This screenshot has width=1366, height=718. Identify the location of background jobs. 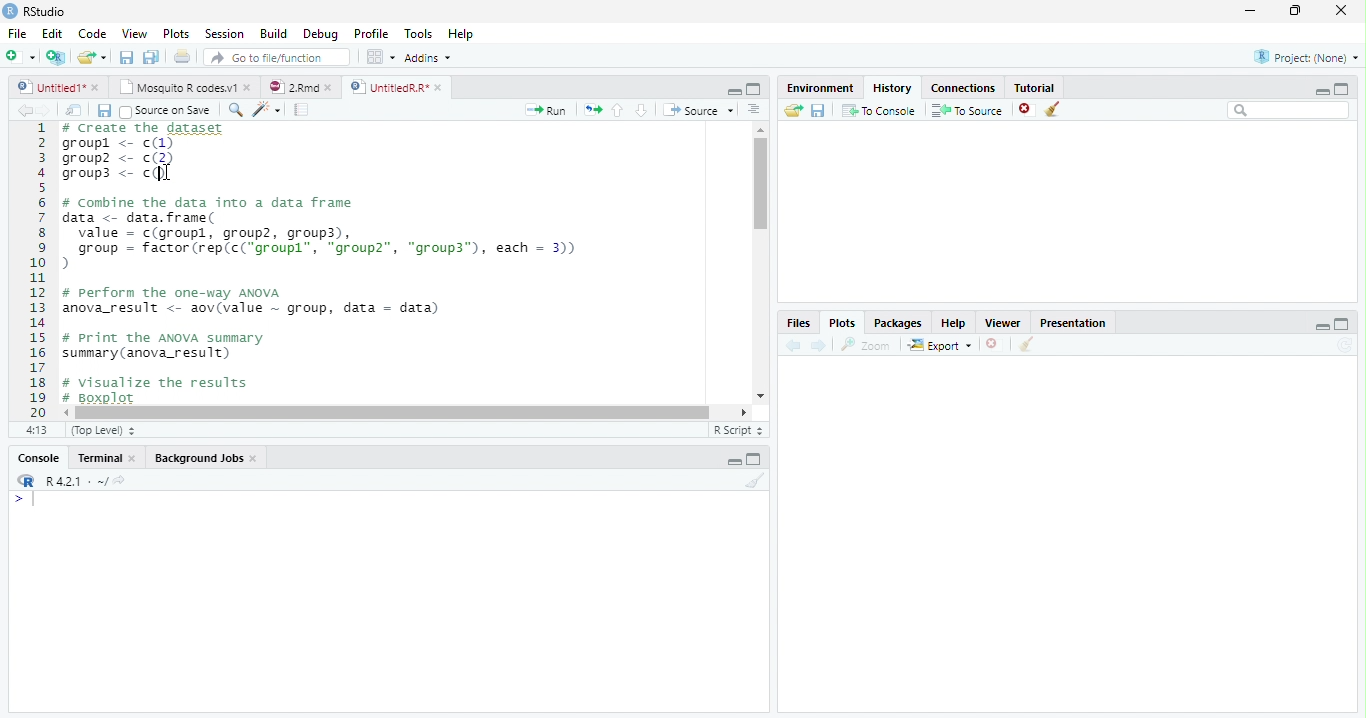
(207, 460).